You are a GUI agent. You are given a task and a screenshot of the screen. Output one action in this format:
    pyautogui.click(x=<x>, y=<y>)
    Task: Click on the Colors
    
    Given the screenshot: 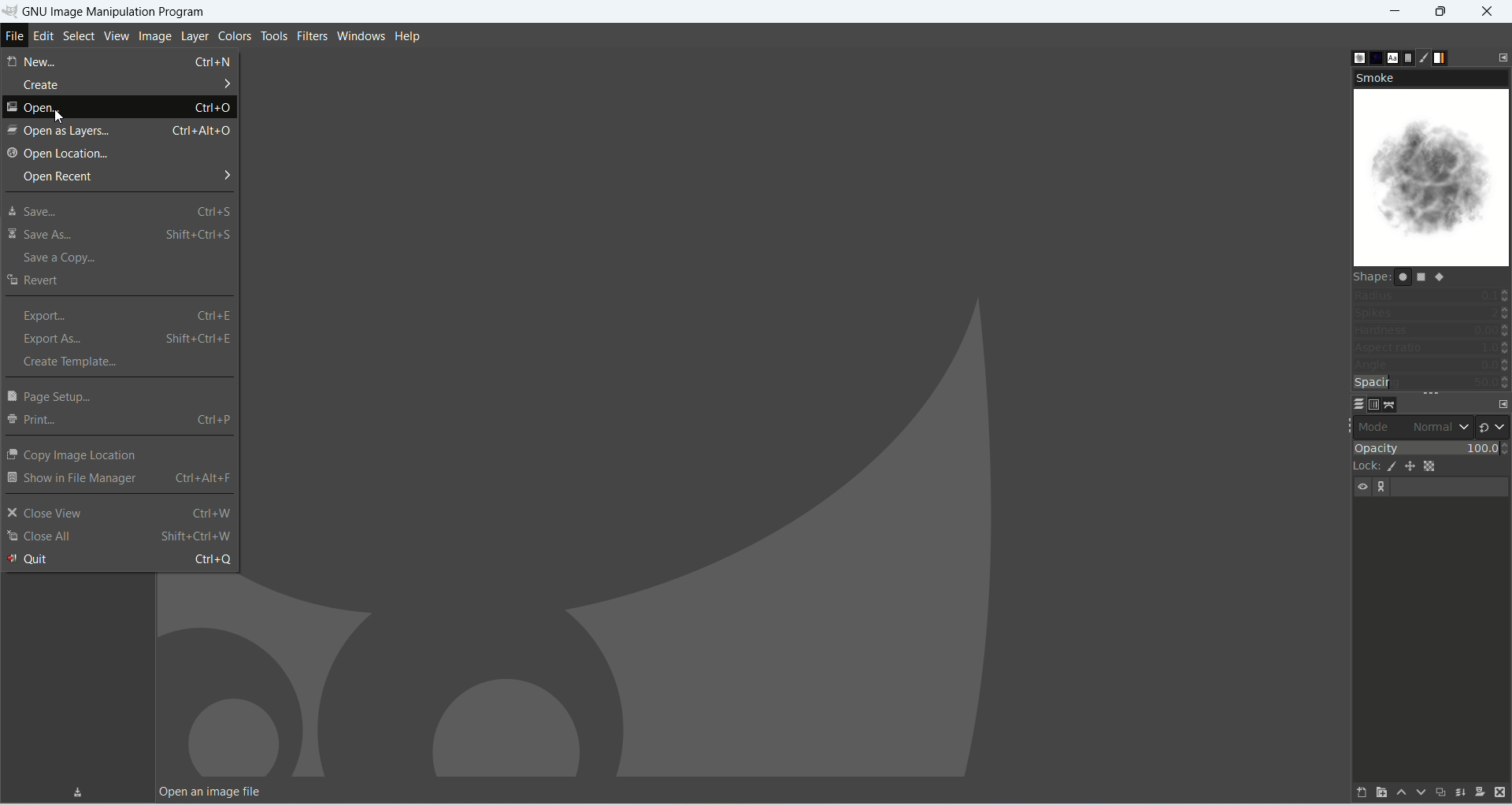 What is the action you would take?
    pyautogui.click(x=235, y=35)
    